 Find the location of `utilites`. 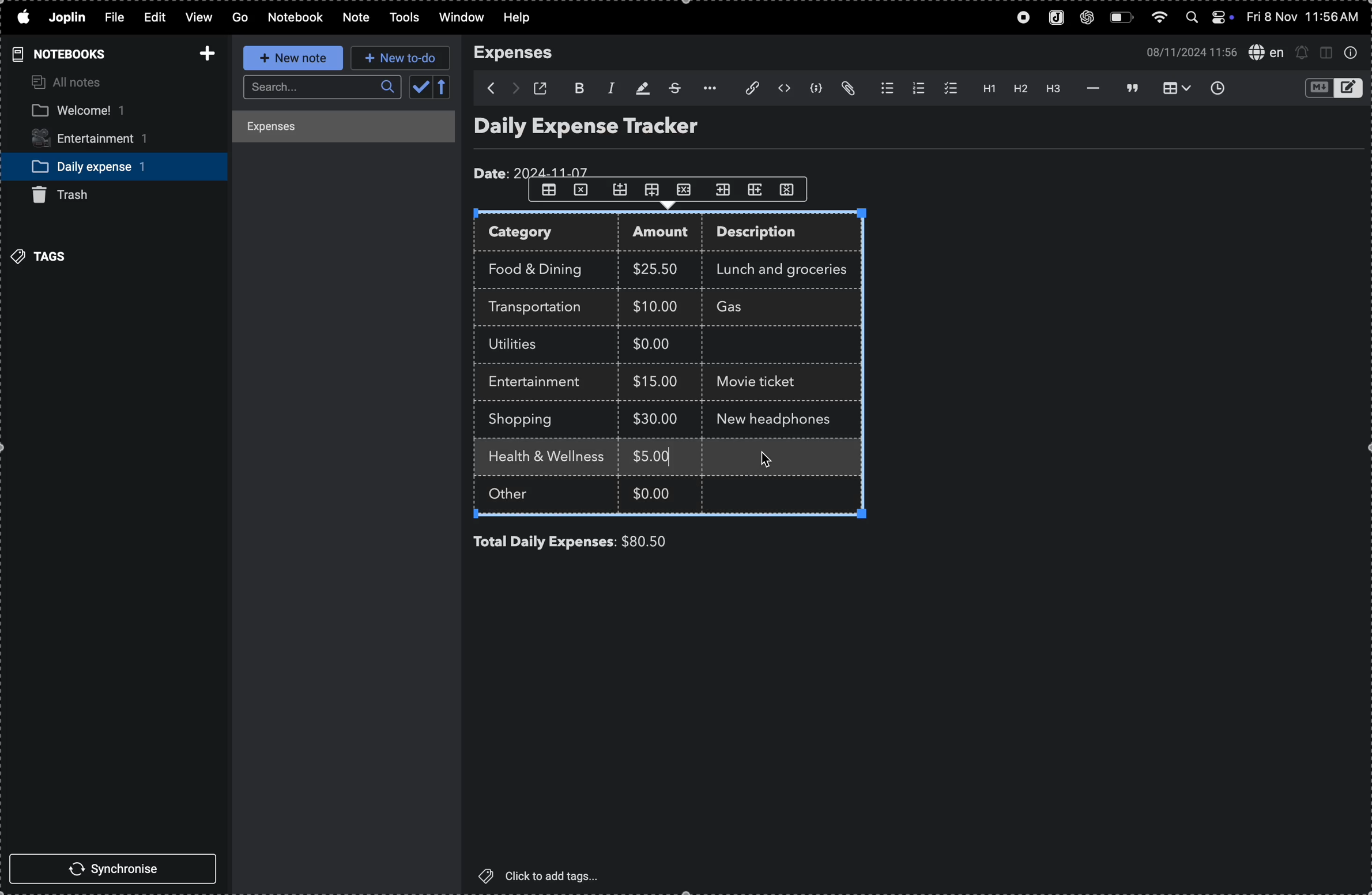

utilites is located at coordinates (524, 345).